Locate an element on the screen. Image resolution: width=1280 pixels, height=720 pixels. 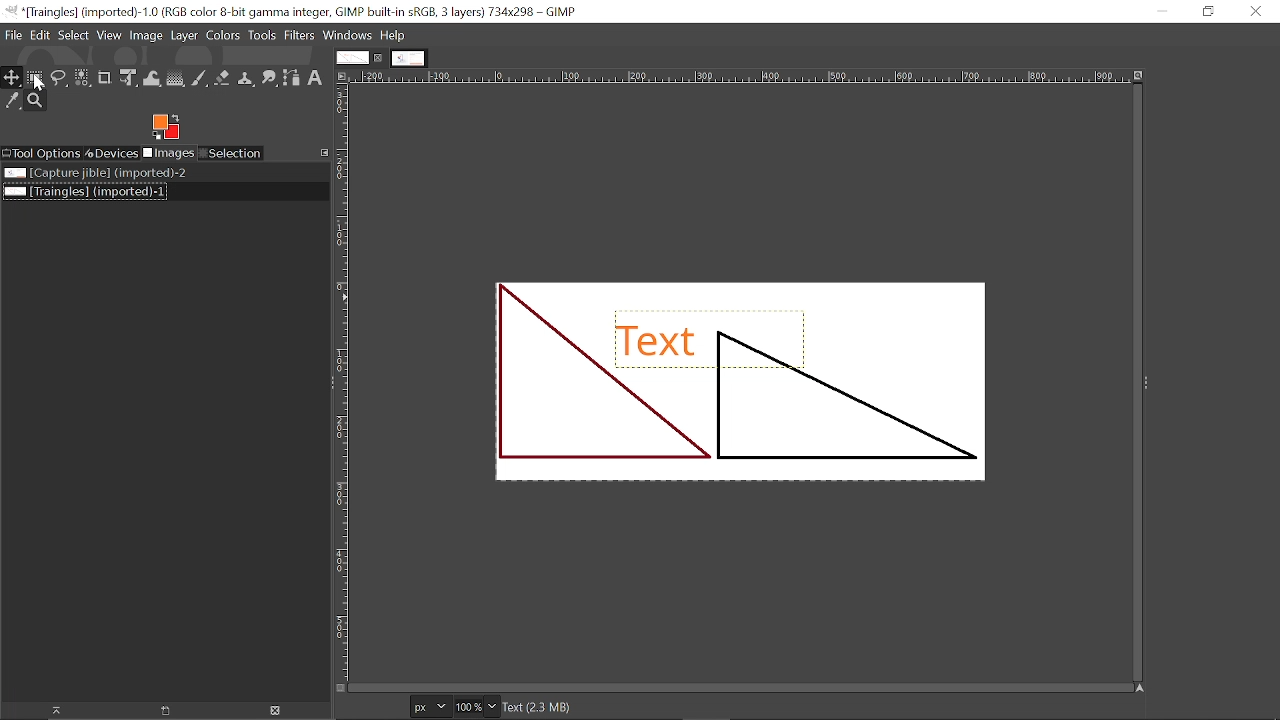
Access this image menu is located at coordinates (344, 77).